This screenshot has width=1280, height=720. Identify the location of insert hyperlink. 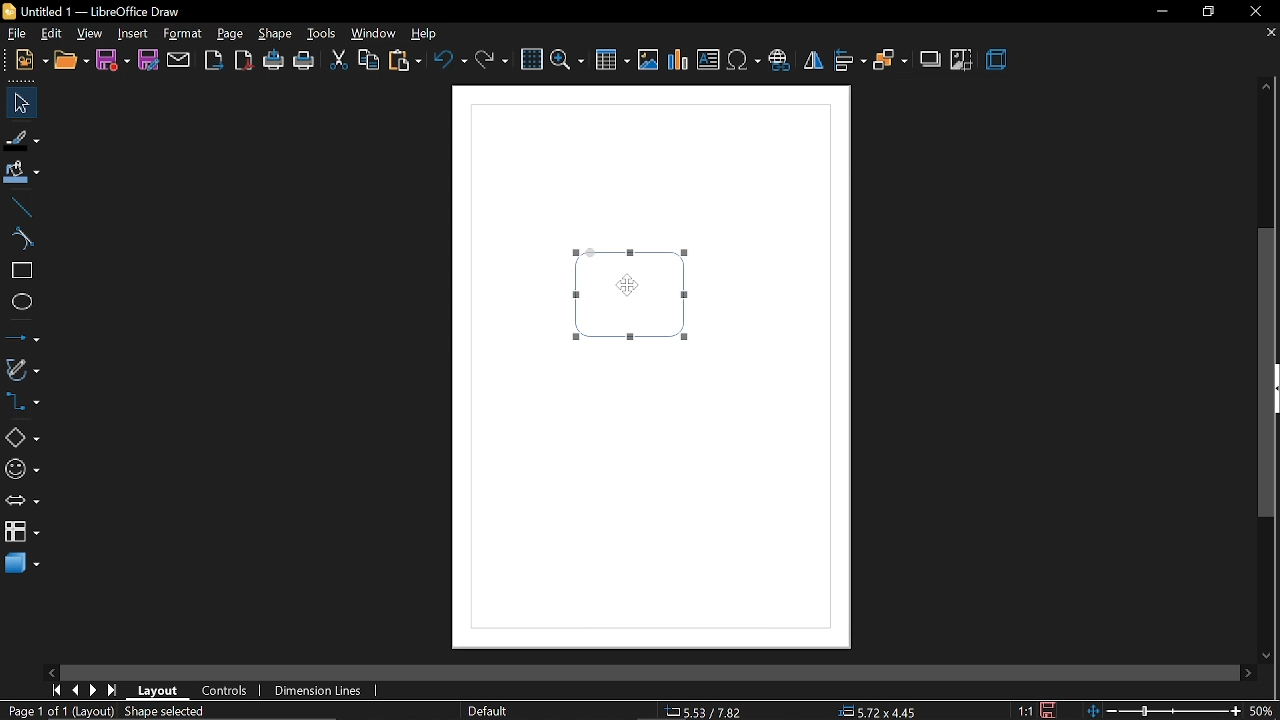
(779, 61).